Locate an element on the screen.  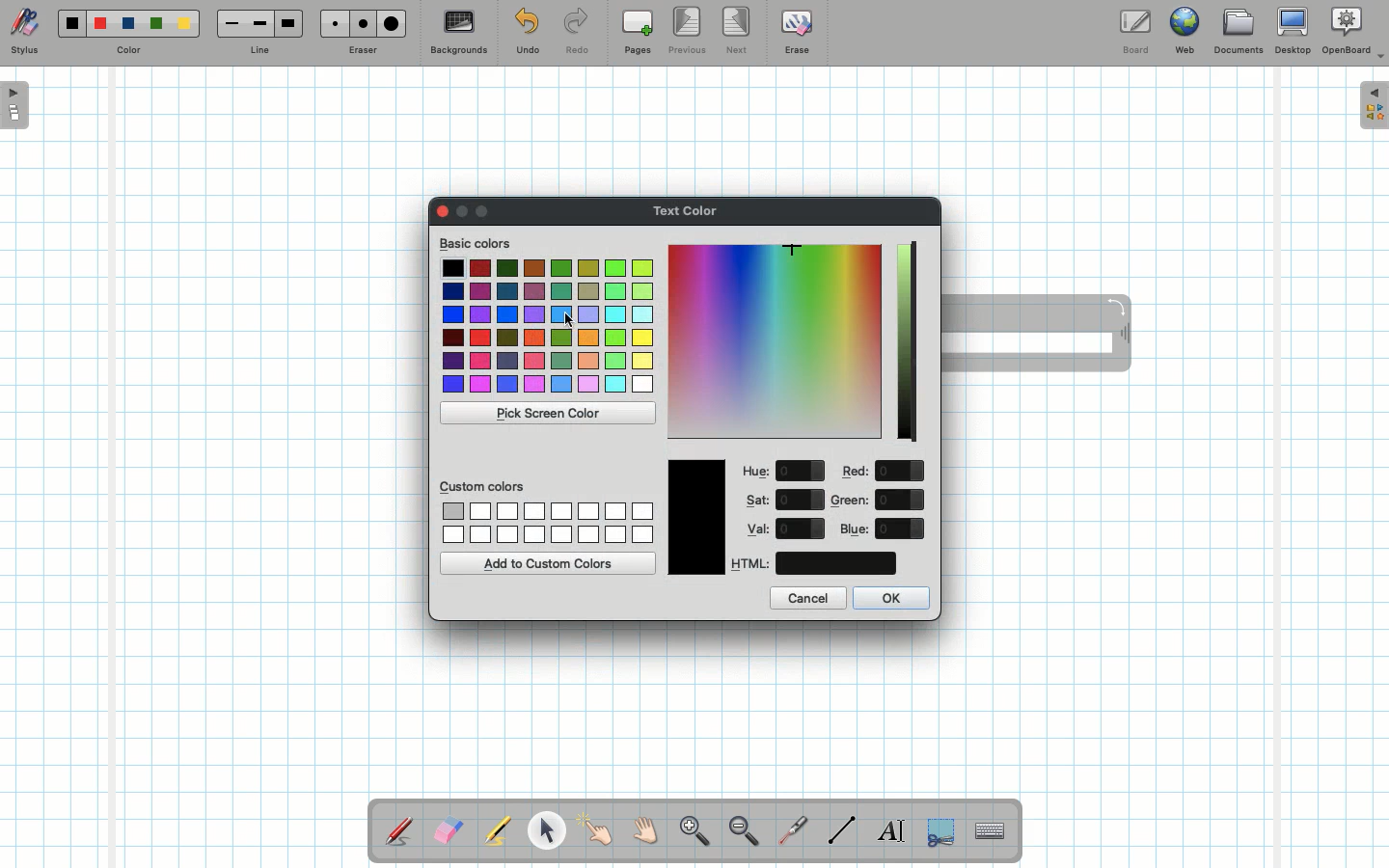
Laser pointer is located at coordinates (789, 831).